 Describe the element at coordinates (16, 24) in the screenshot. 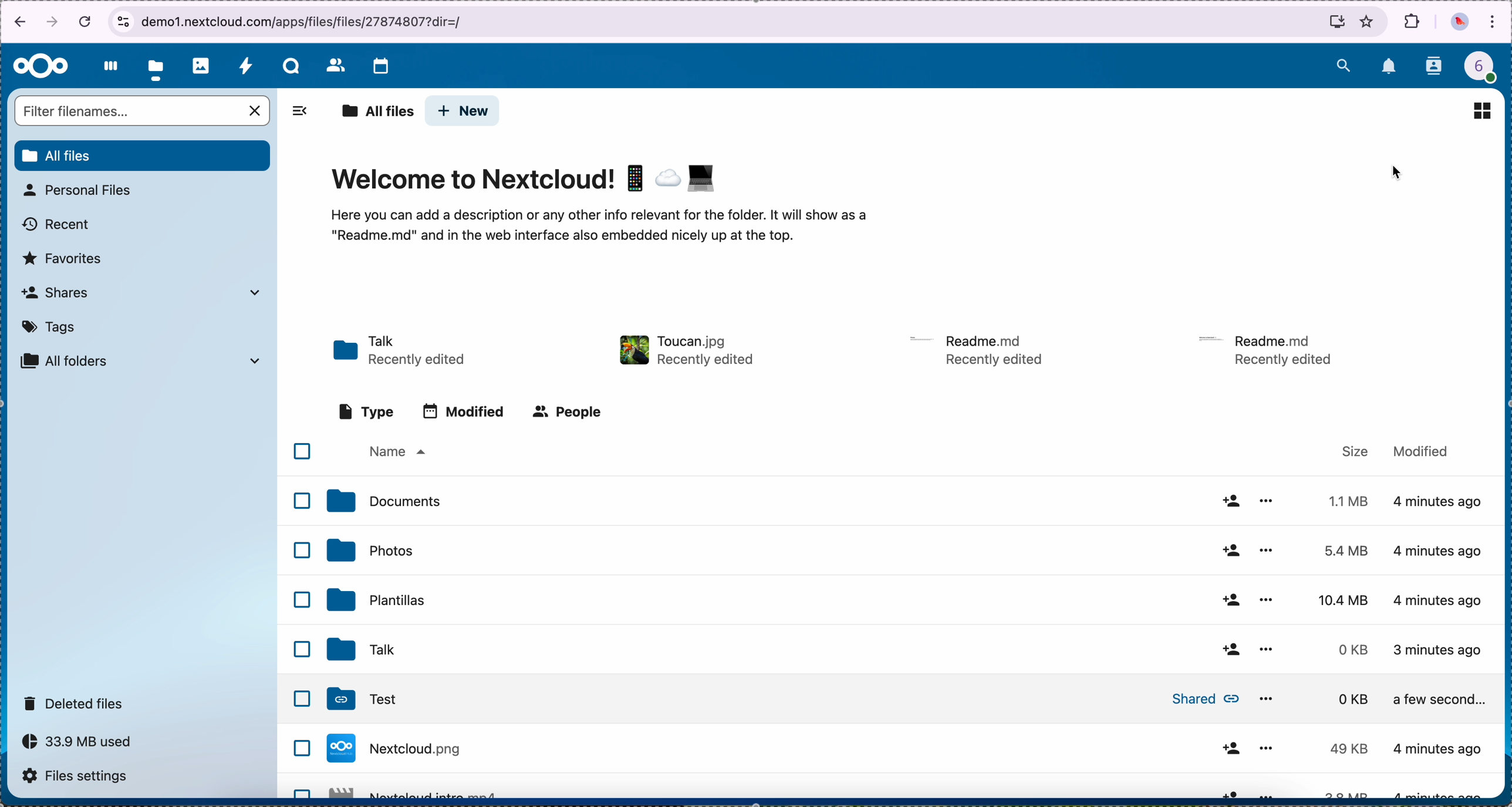

I see `navigate back` at that location.